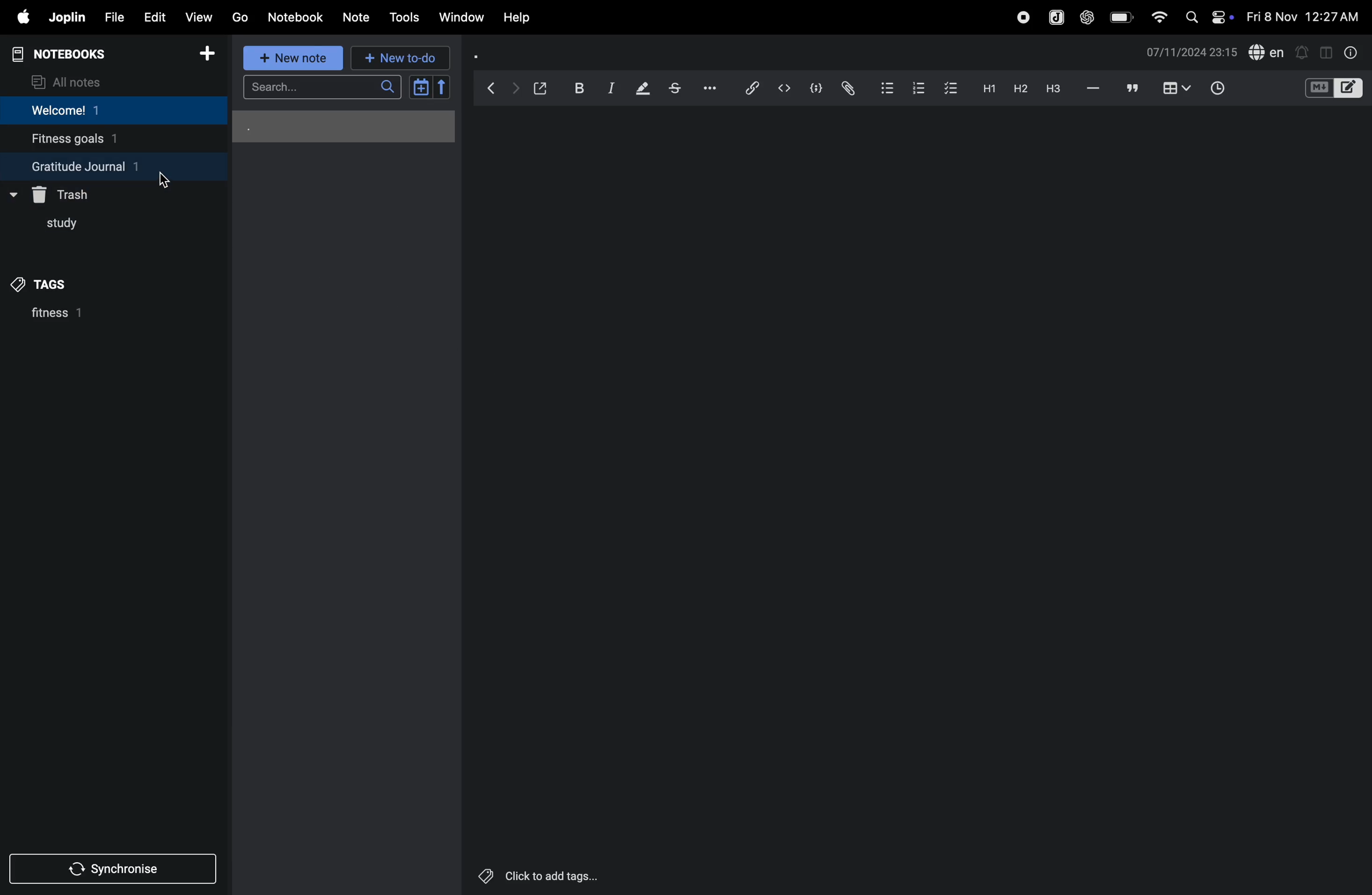  I want to click on code, so click(813, 89).